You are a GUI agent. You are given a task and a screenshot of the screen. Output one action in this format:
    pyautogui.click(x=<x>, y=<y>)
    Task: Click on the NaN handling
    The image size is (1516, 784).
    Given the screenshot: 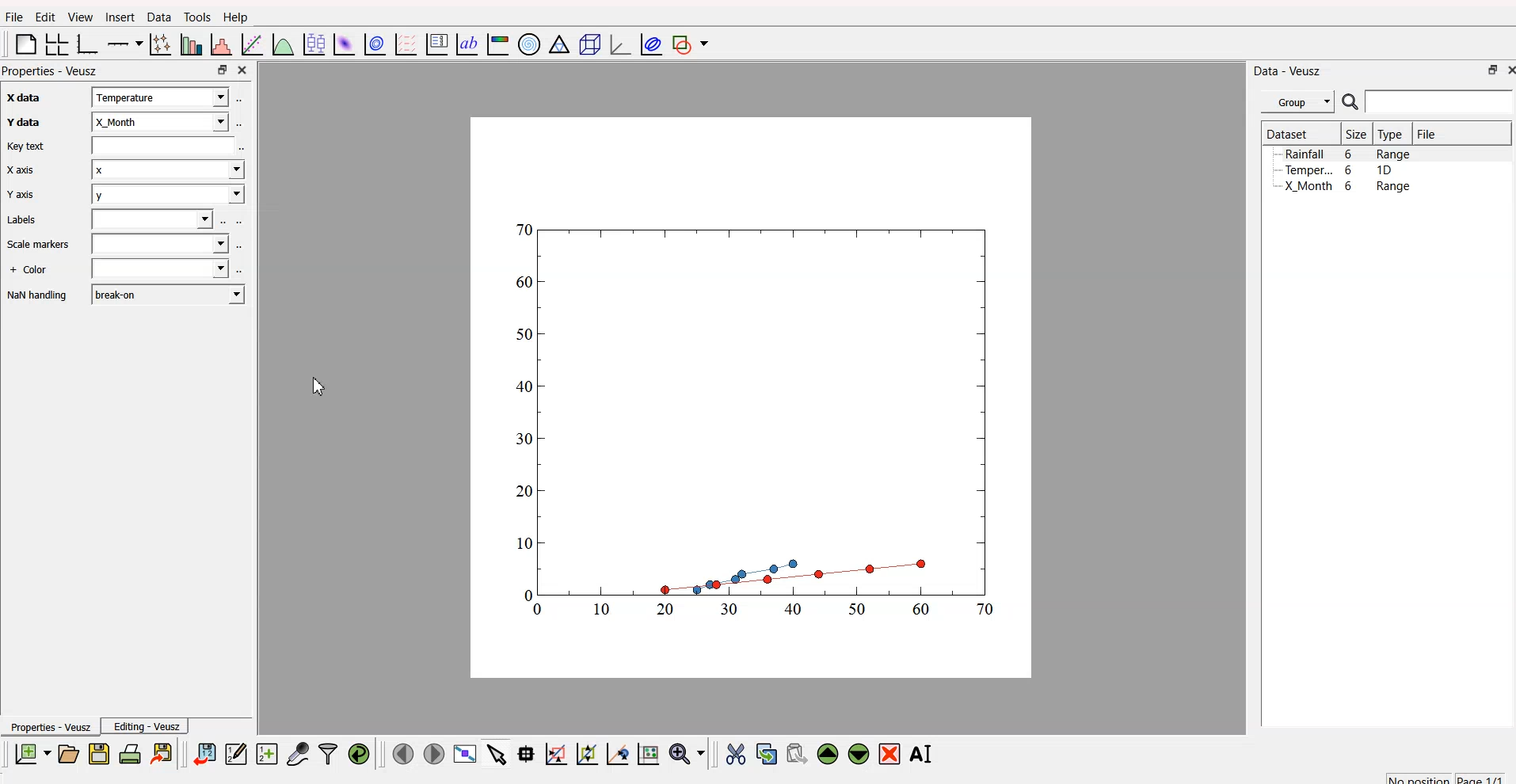 What is the action you would take?
    pyautogui.click(x=38, y=296)
    